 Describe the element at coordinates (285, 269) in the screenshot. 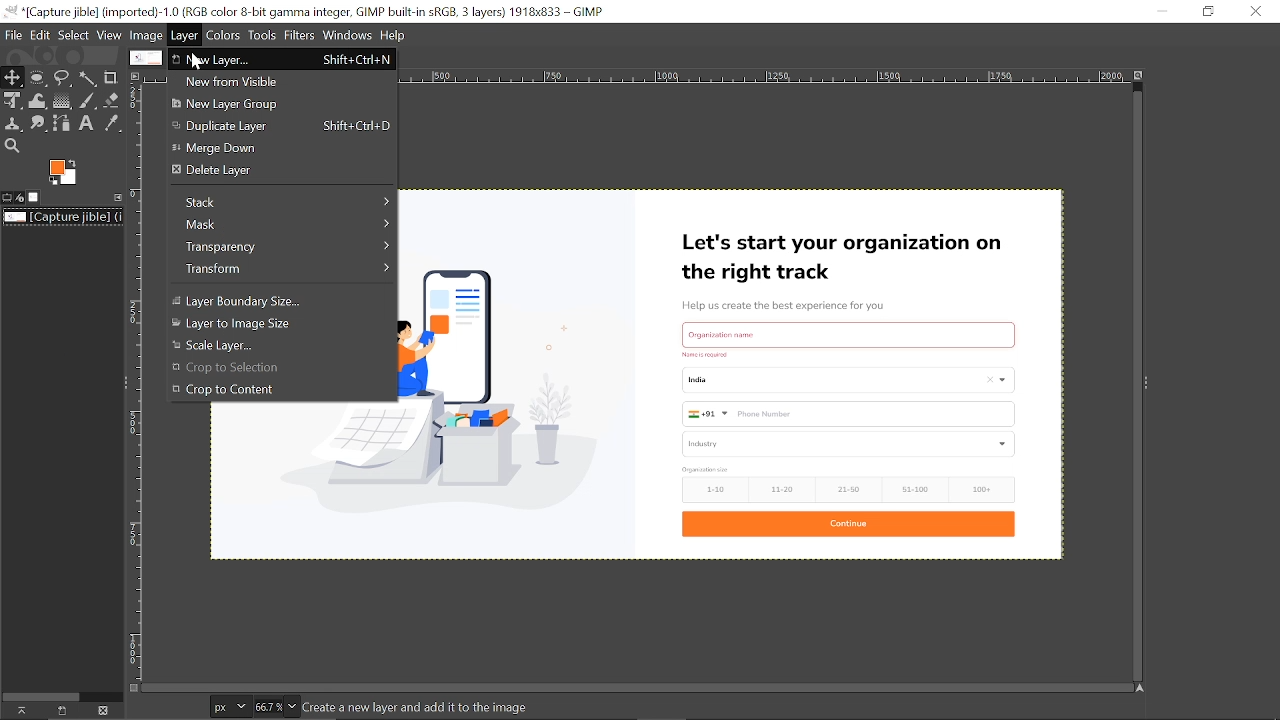

I see `Transform` at that location.